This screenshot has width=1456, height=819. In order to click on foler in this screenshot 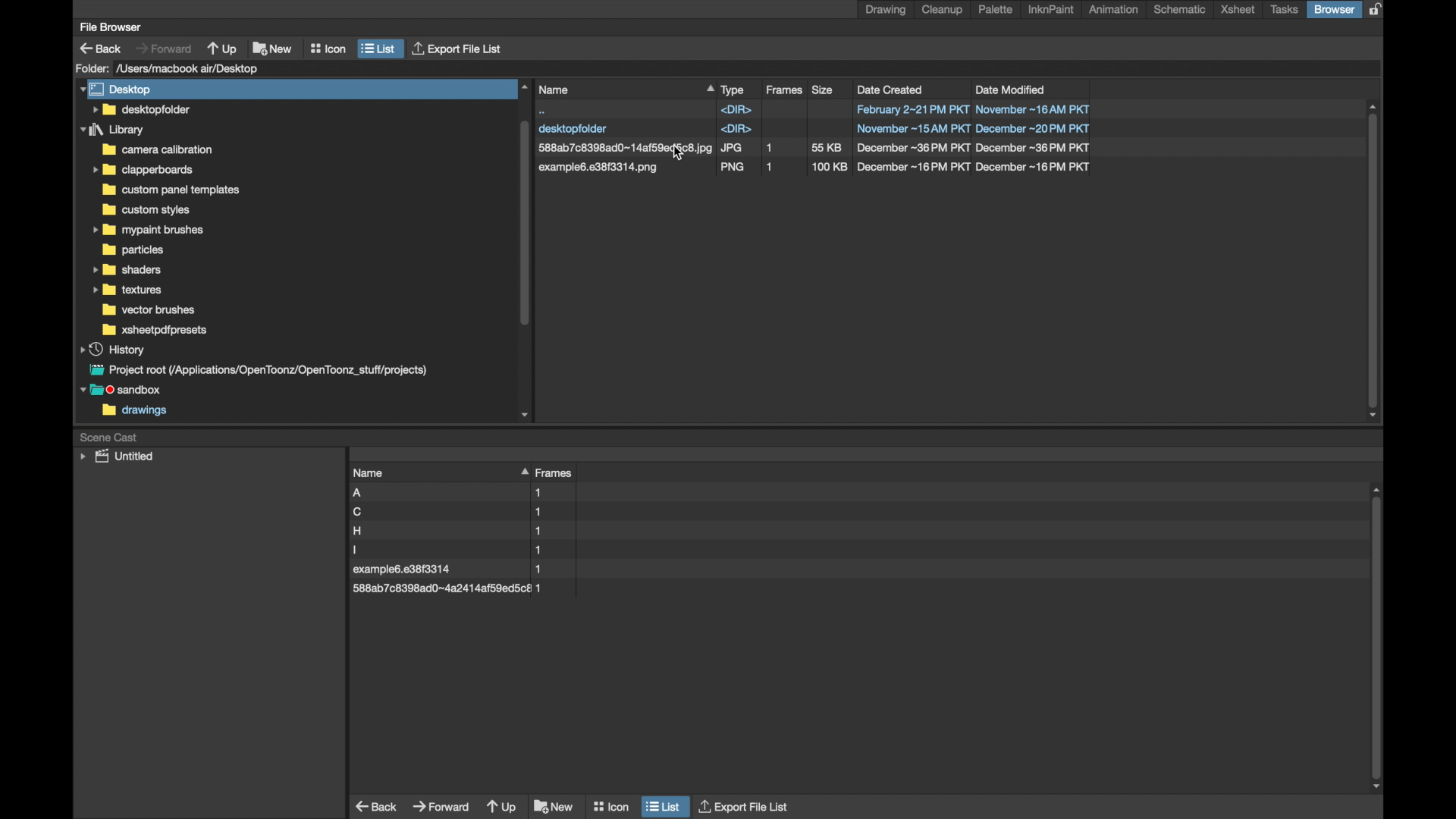, I will do `click(155, 330)`.